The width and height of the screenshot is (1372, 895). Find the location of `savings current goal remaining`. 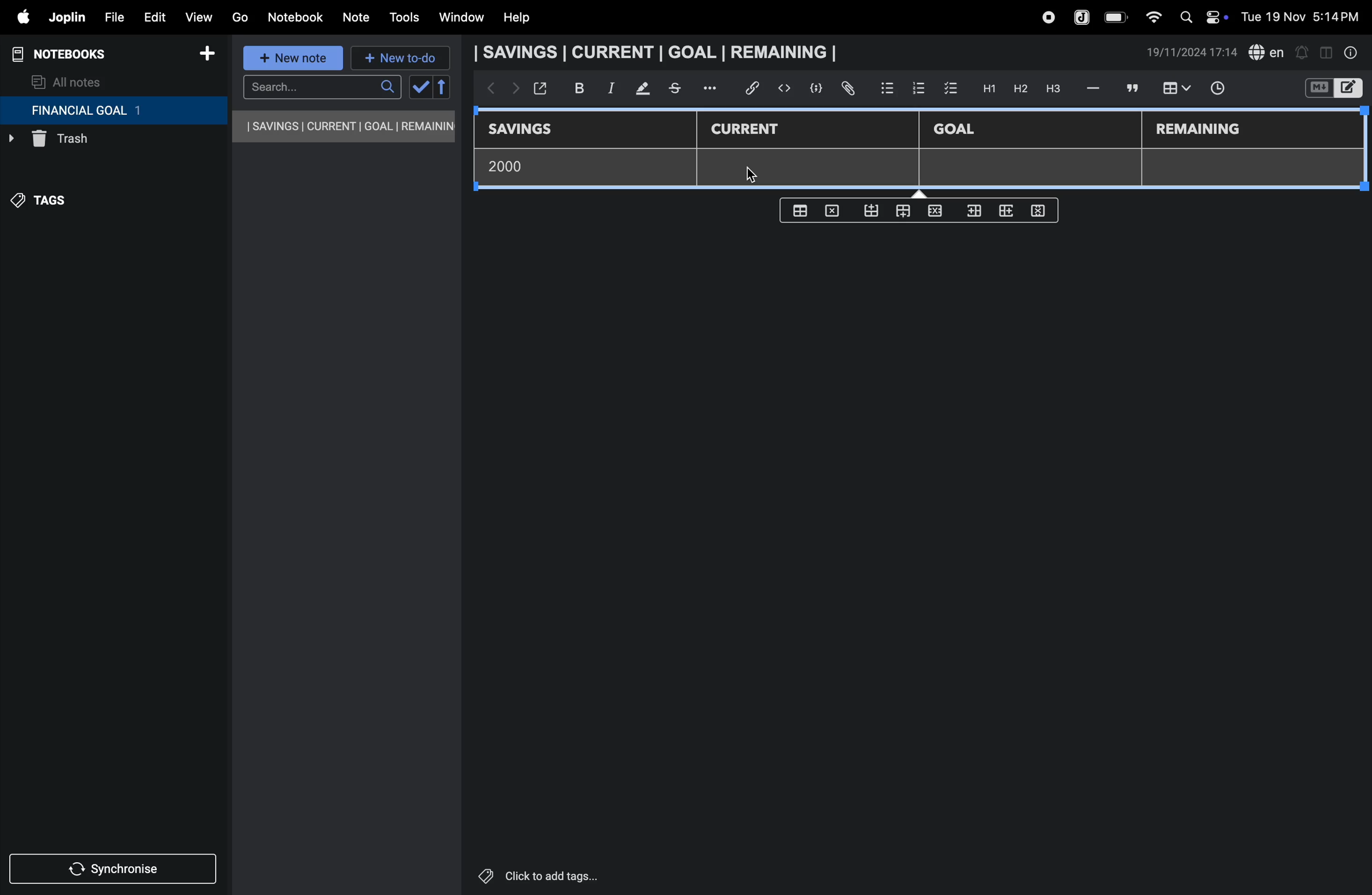

savings current goal remaining is located at coordinates (659, 52).